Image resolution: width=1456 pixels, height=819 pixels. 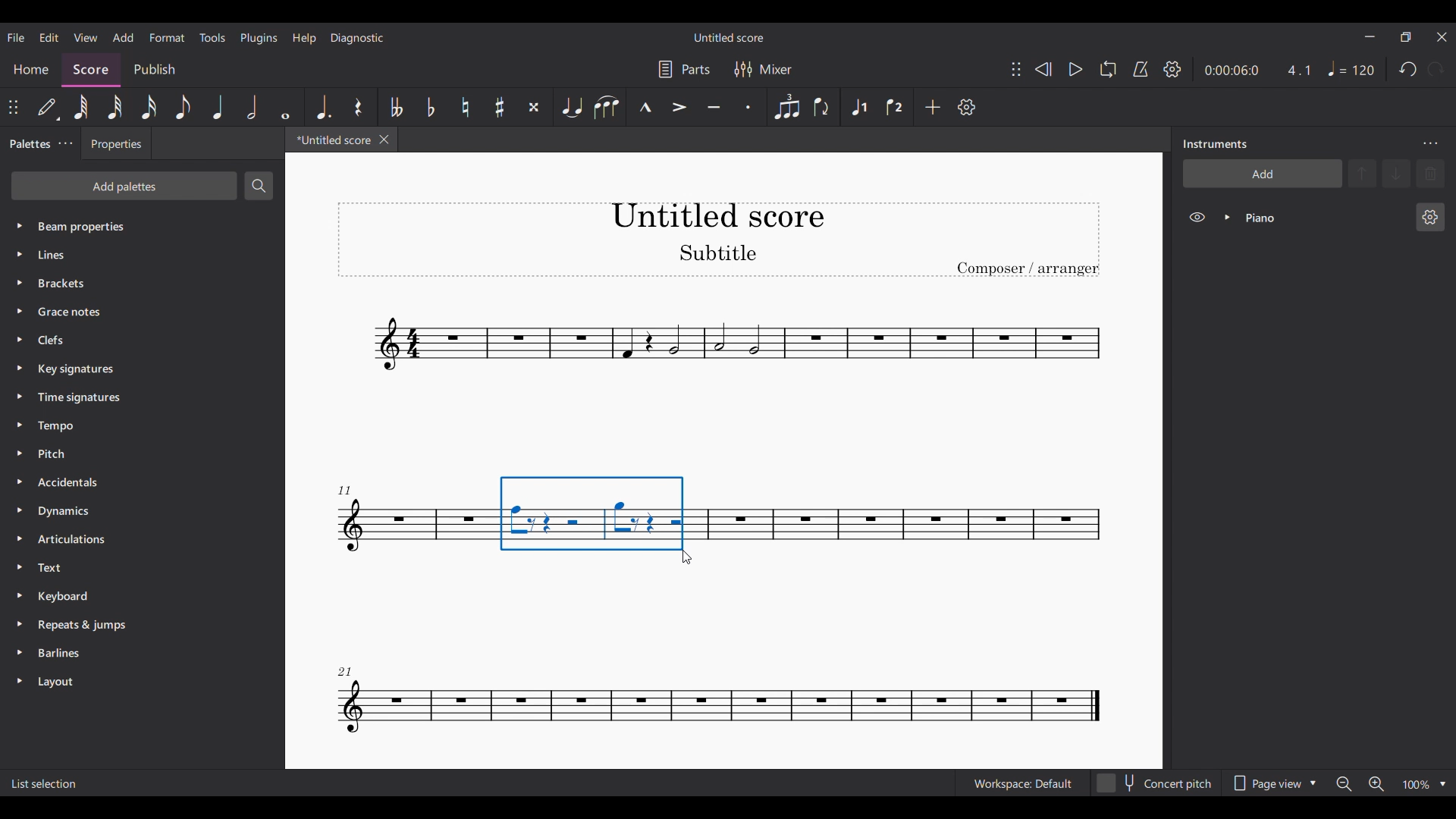 I want to click on Zoom options, so click(x=1443, y=784).